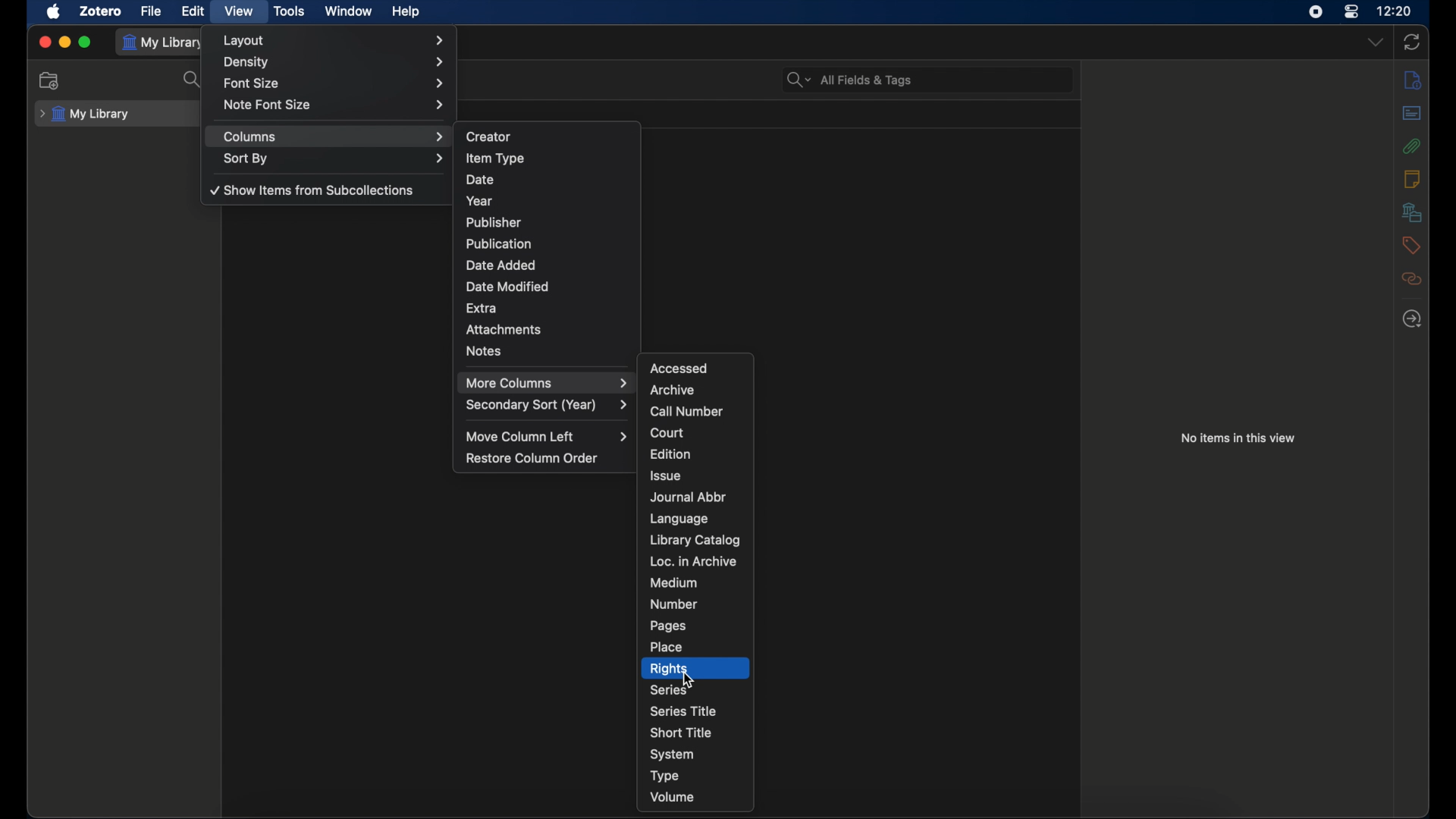 This screenshot has height=819, width=1456. I want to click on file, so click(152, 11).